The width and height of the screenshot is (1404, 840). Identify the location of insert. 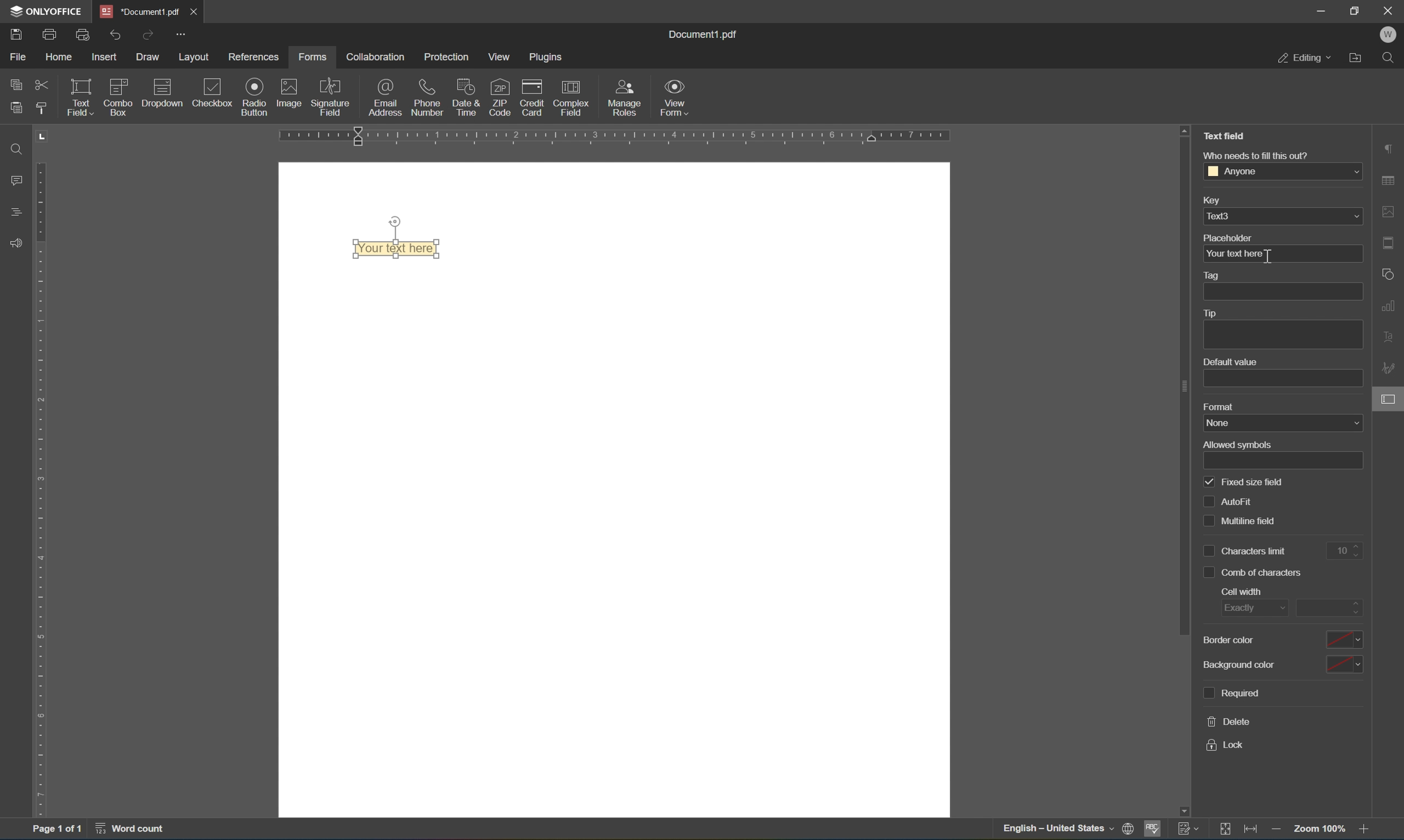
(106, 57).